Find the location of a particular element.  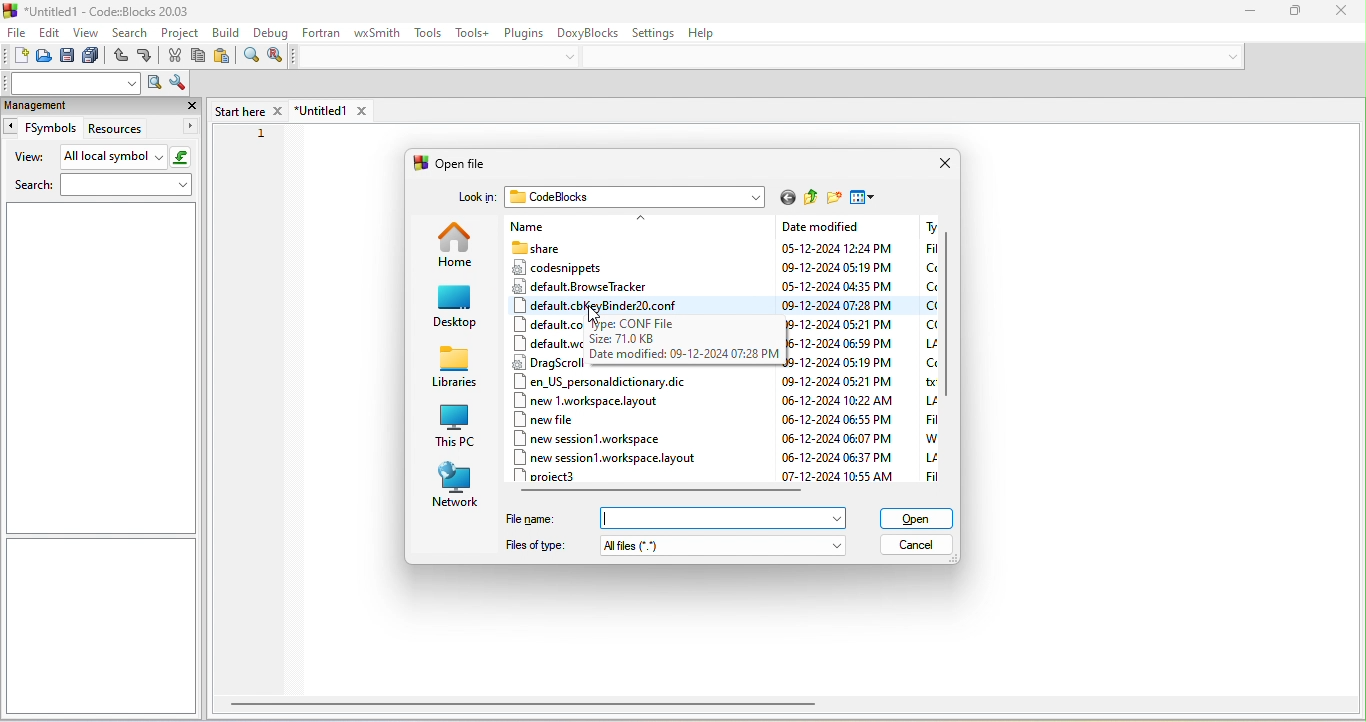

start here is located at coordinates (245, 107).